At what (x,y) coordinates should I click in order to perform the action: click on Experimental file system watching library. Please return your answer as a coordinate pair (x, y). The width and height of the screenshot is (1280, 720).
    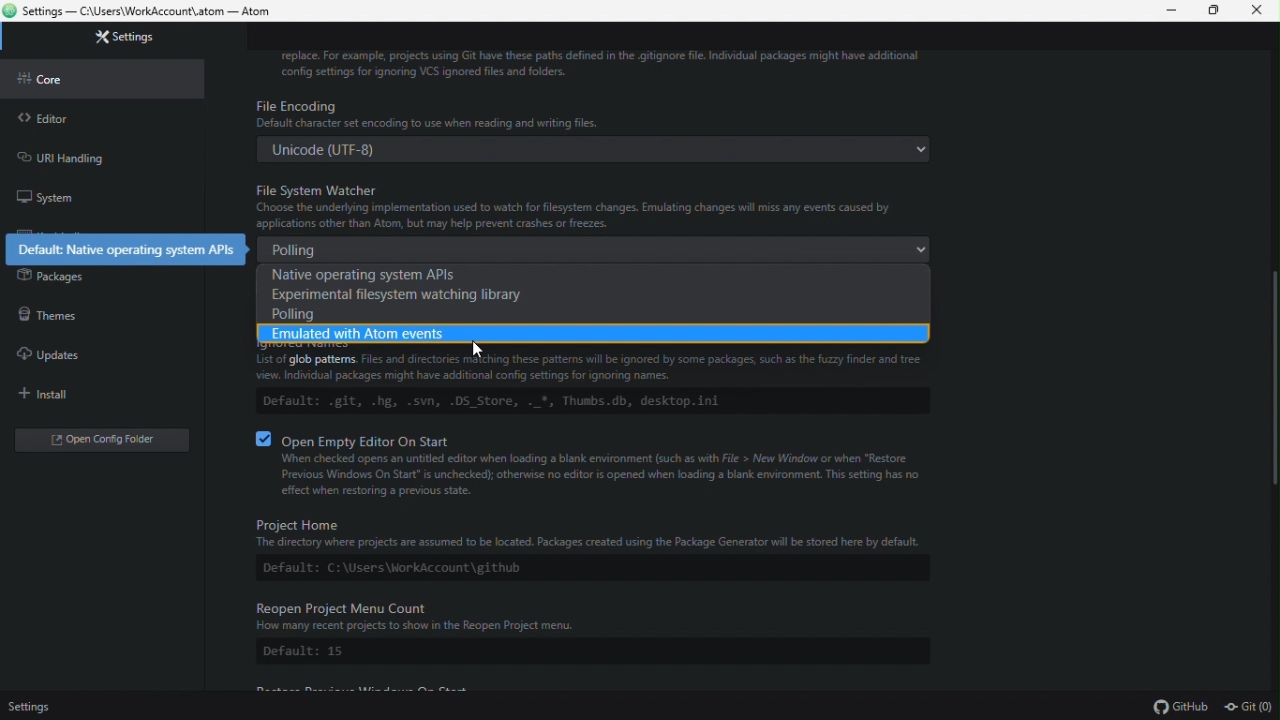
    Looking at the image, I should click on (588, 296).